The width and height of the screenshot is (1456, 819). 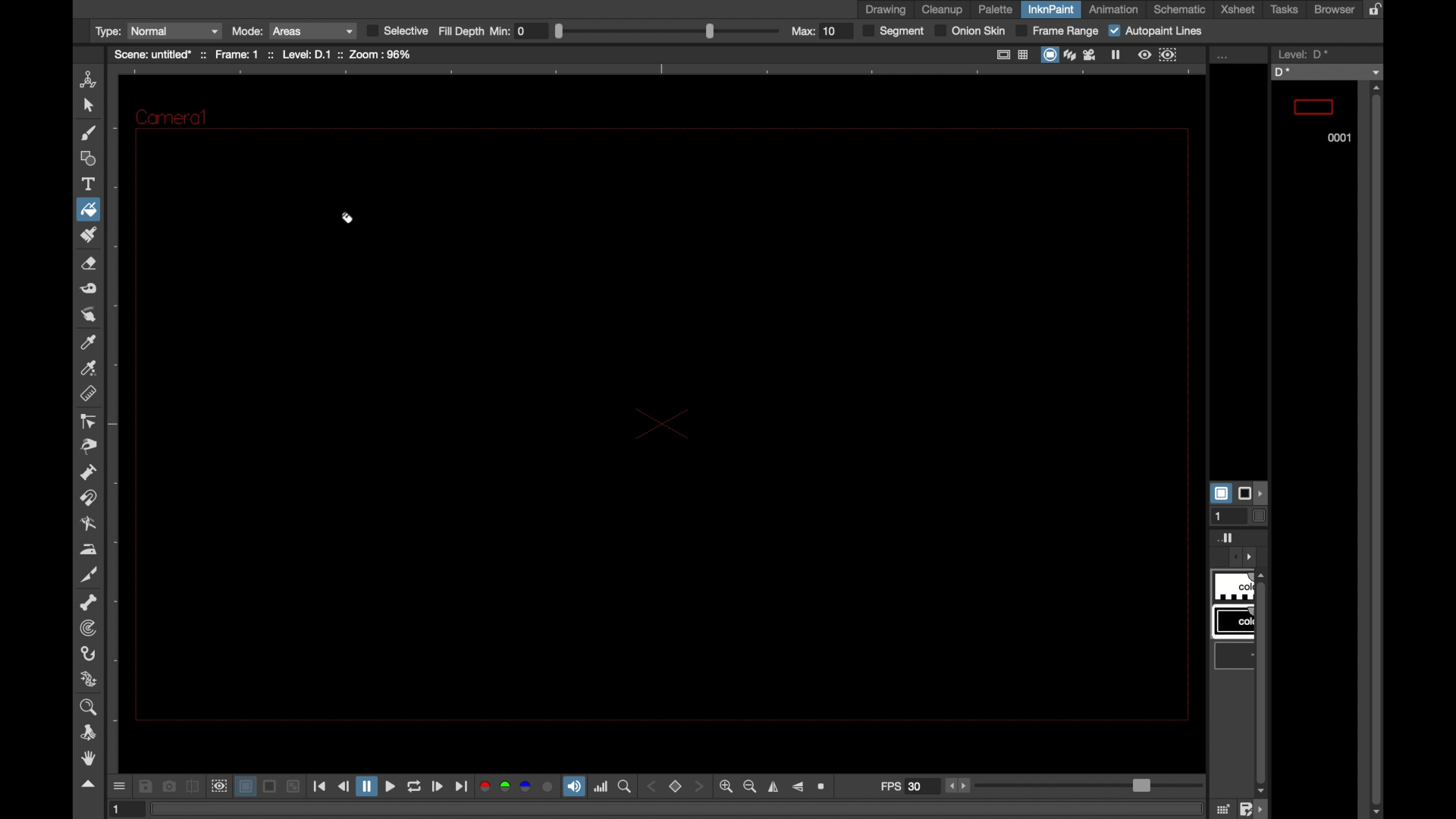 What do you see at coordinates (393, 786) in the screenshot?
I see `play` at bounding box center [393, 786].